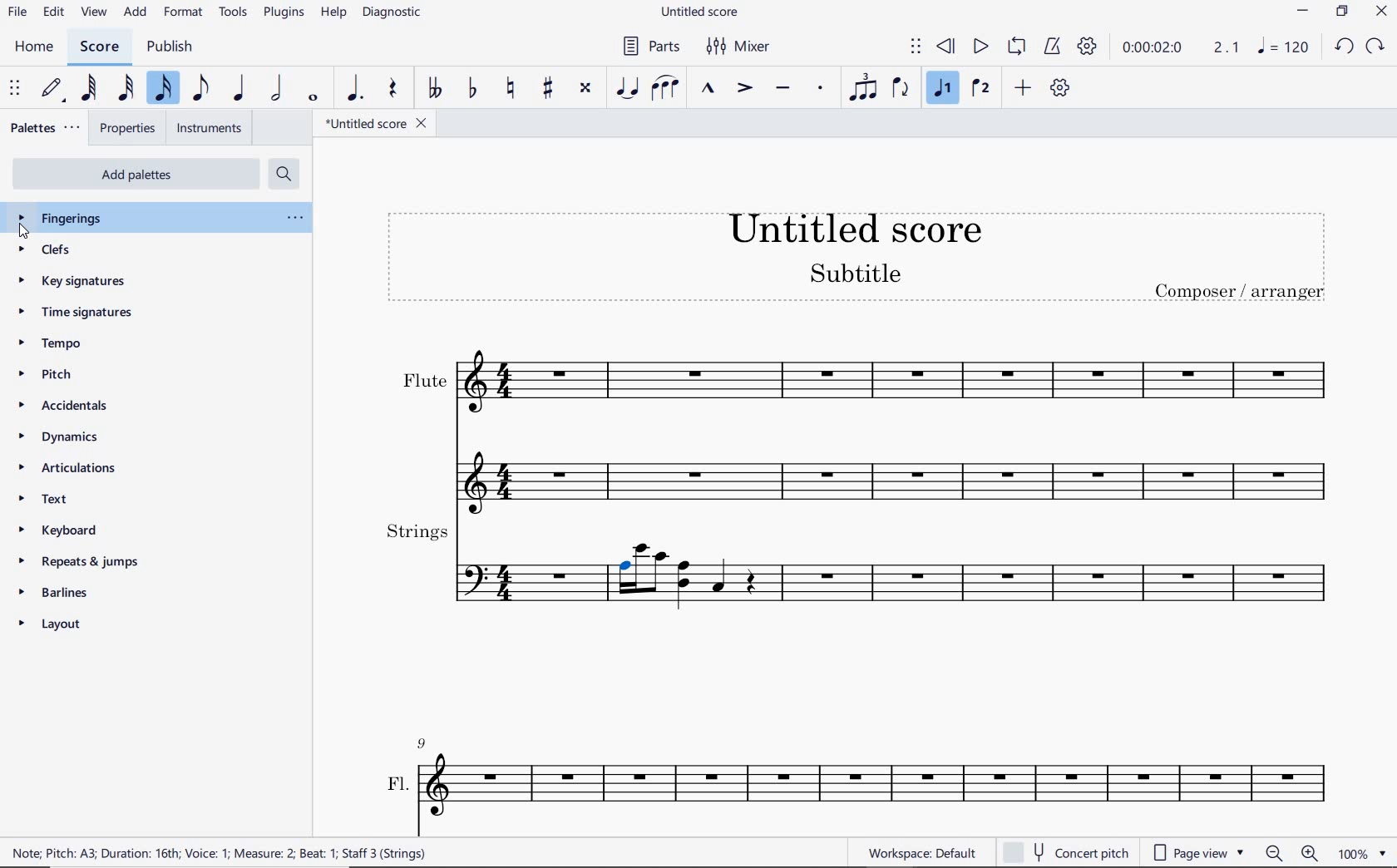 This screenshot has height=868, width=1397. I want to click on metronome, so click(1052, 49).